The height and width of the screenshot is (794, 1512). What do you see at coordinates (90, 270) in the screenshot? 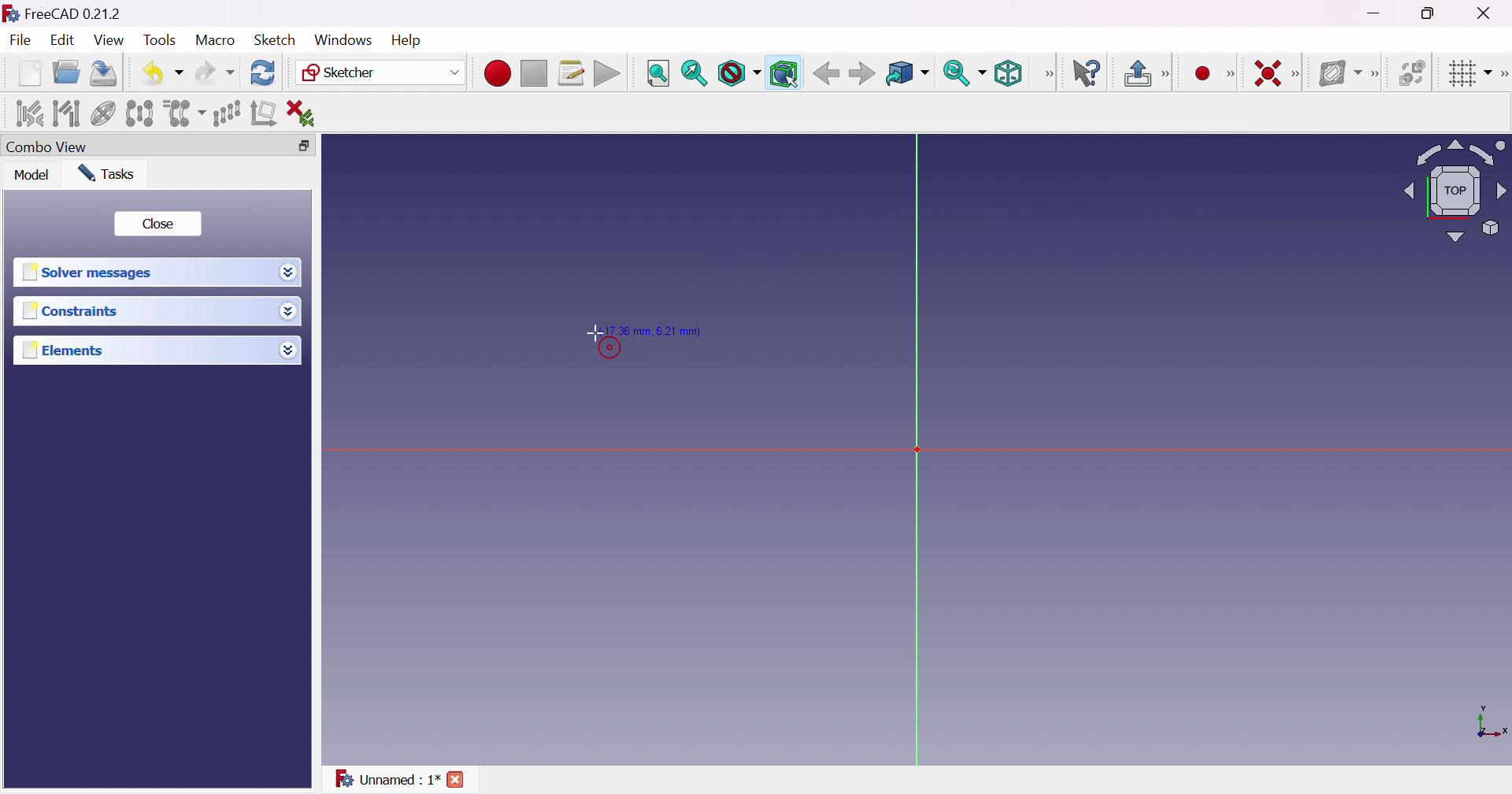
I see `Solver messages` at bounding box center [90, 270].